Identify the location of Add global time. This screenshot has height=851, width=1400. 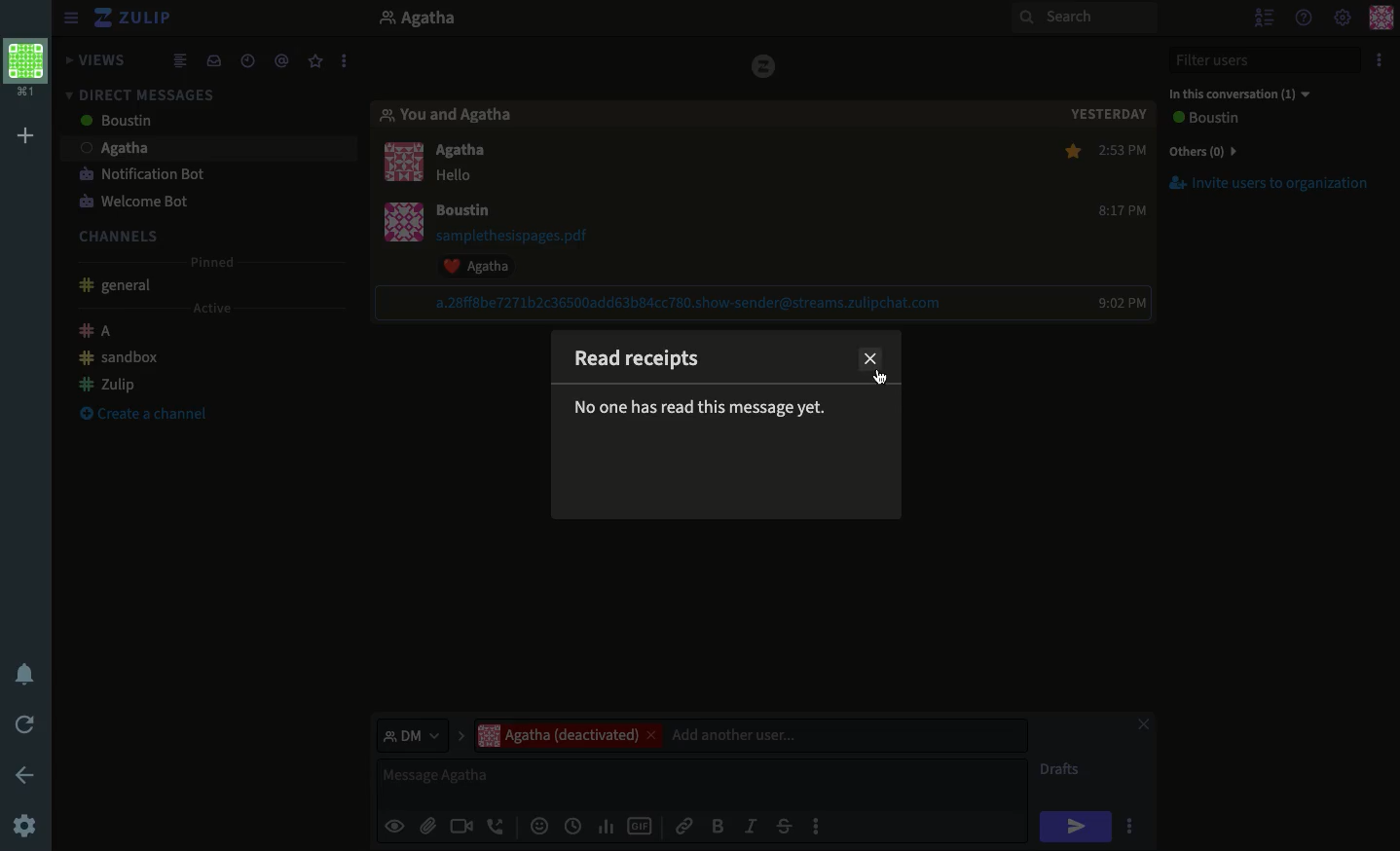
(576, 826).